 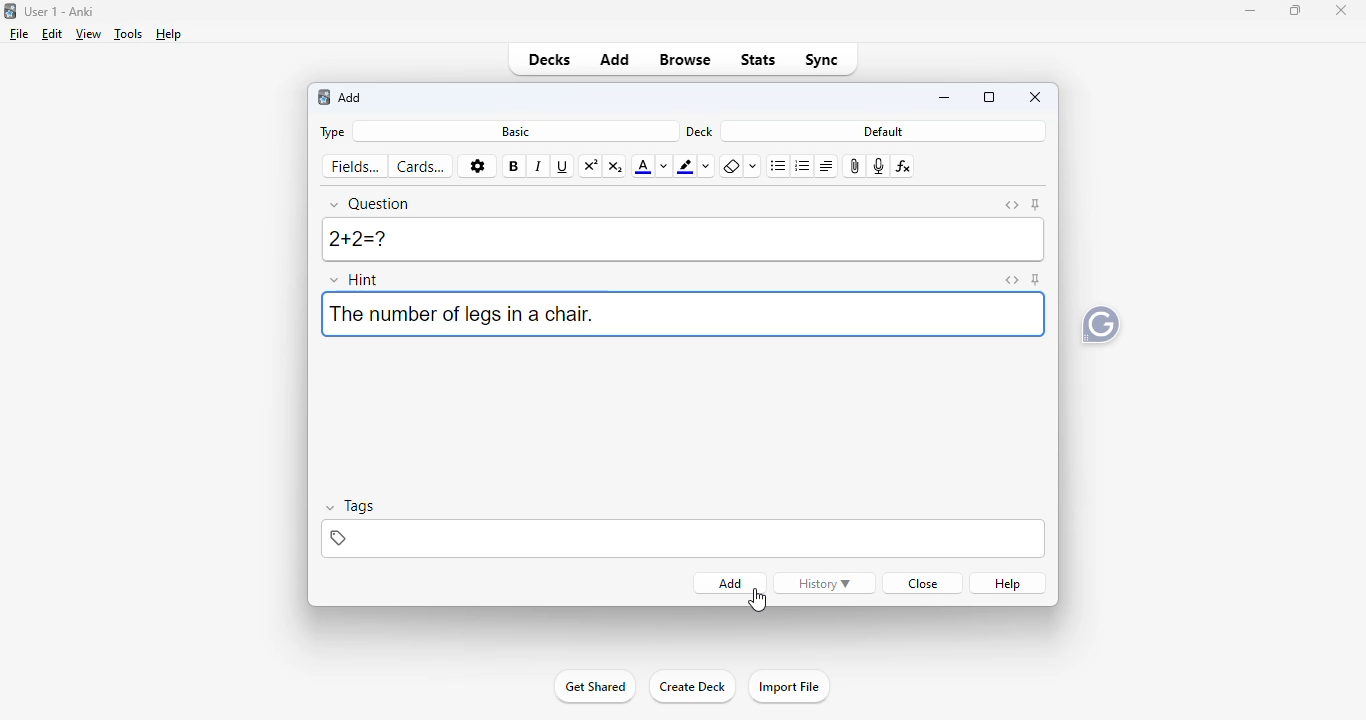 I want to click on attach pictures/audio/video, so click(x=855, y=166).